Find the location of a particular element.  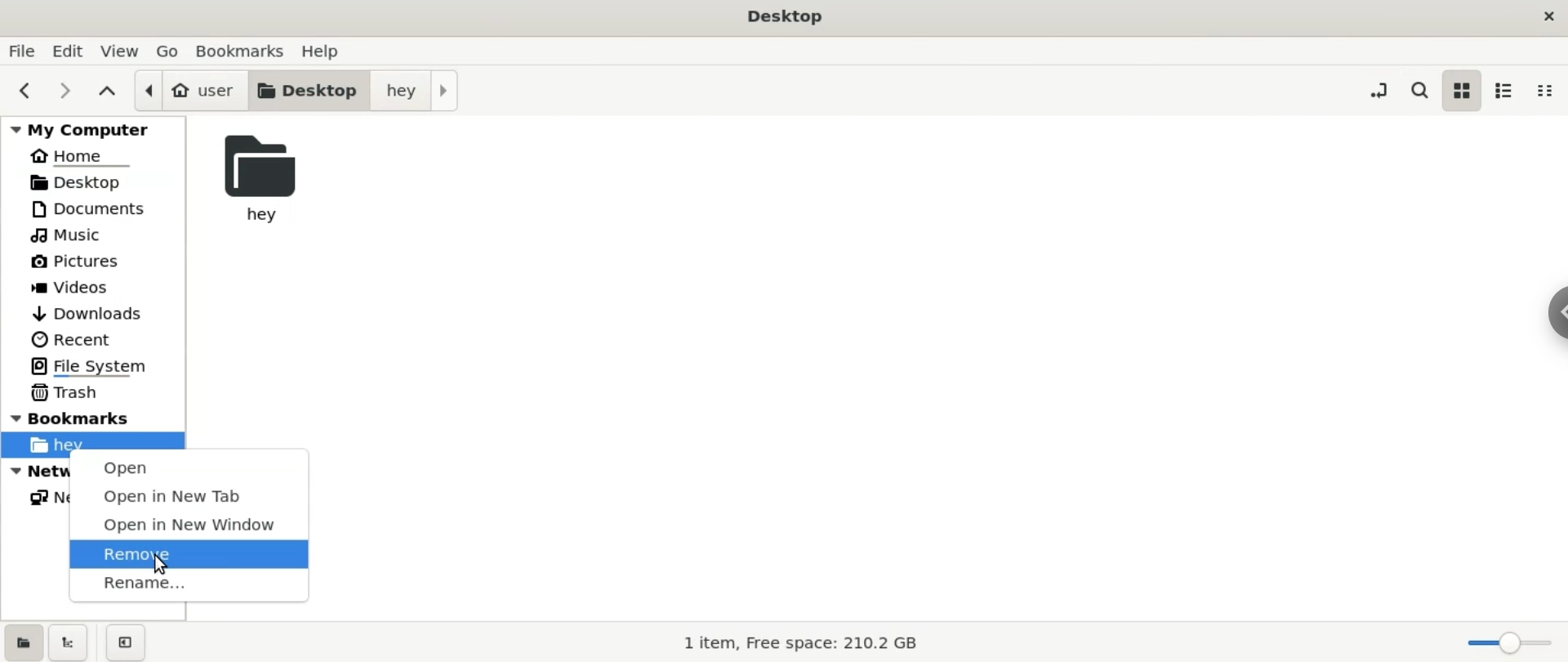

help is located at coordinates (331, 51).